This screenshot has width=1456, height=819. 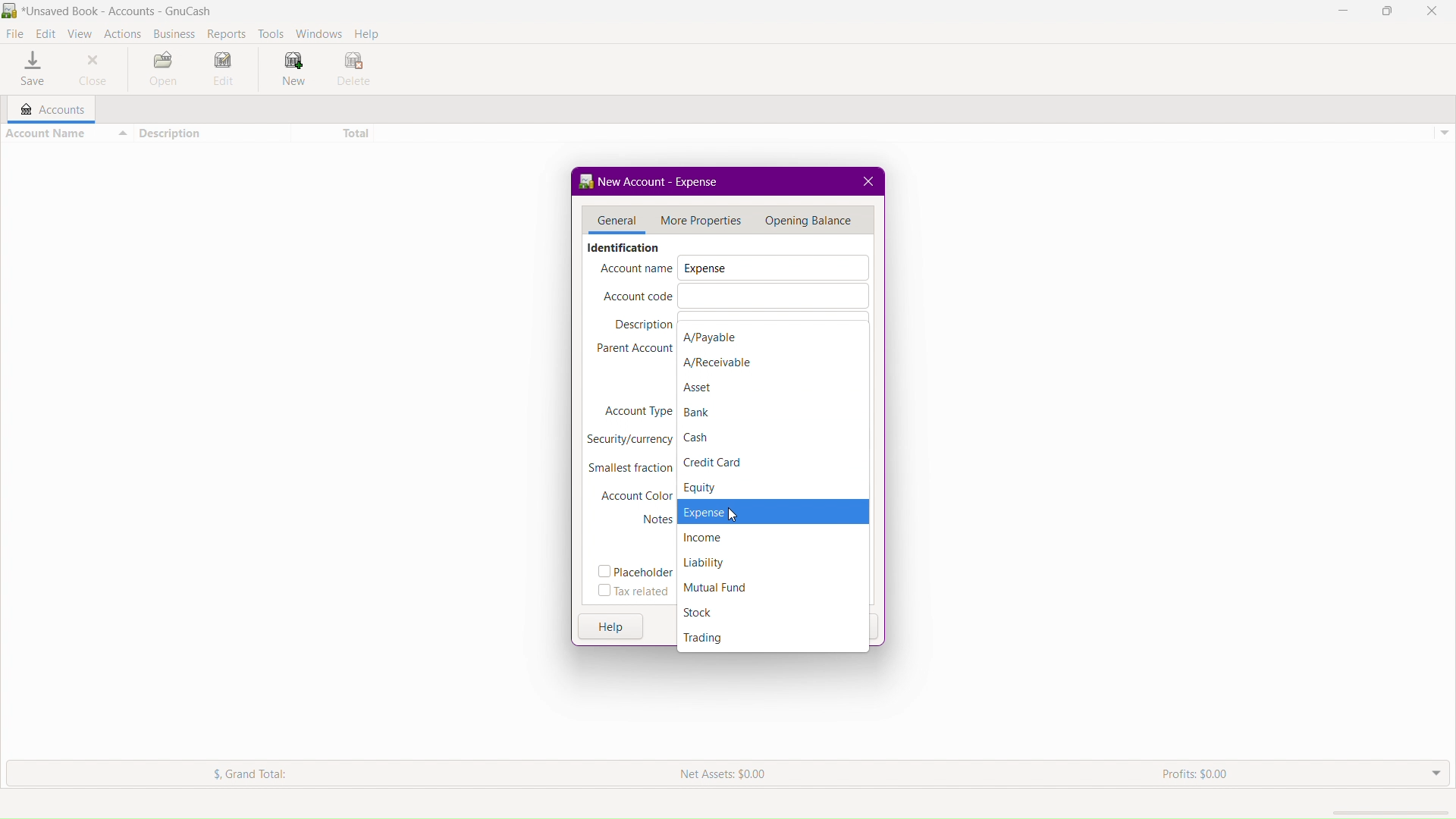 What do you see at coordinates (707, 560) in the screenshot?
I see `Liability` at bounding box center [707, 560].